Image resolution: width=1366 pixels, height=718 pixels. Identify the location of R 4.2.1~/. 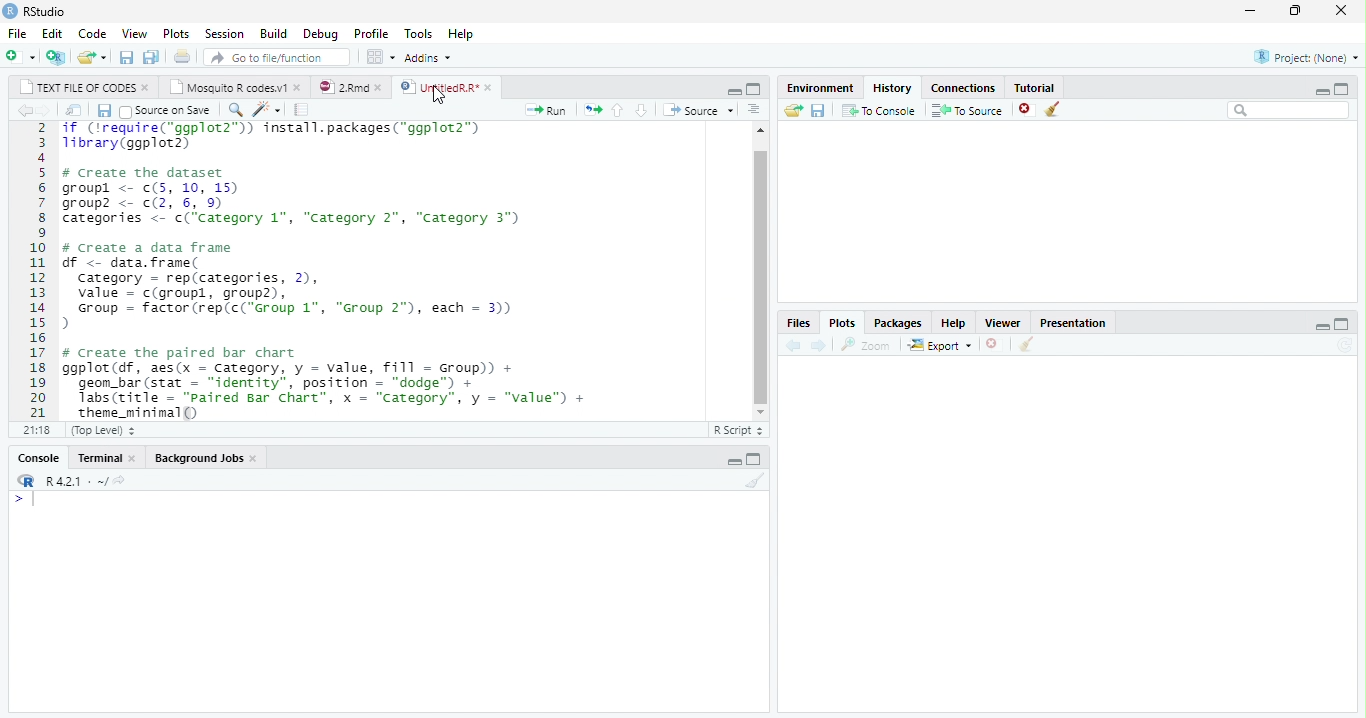
(75, 481).